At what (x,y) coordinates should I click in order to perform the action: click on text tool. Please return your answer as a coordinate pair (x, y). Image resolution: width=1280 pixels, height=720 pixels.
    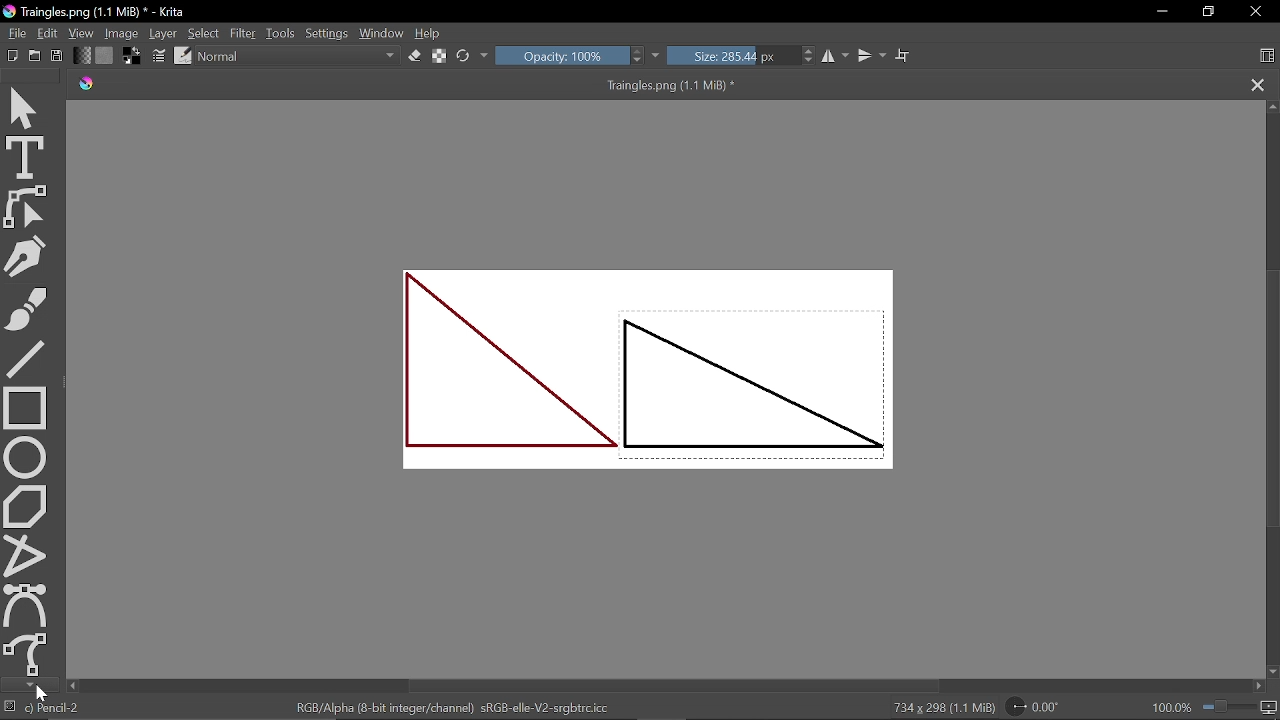
    Looking at the image, I should click on (28, 157).